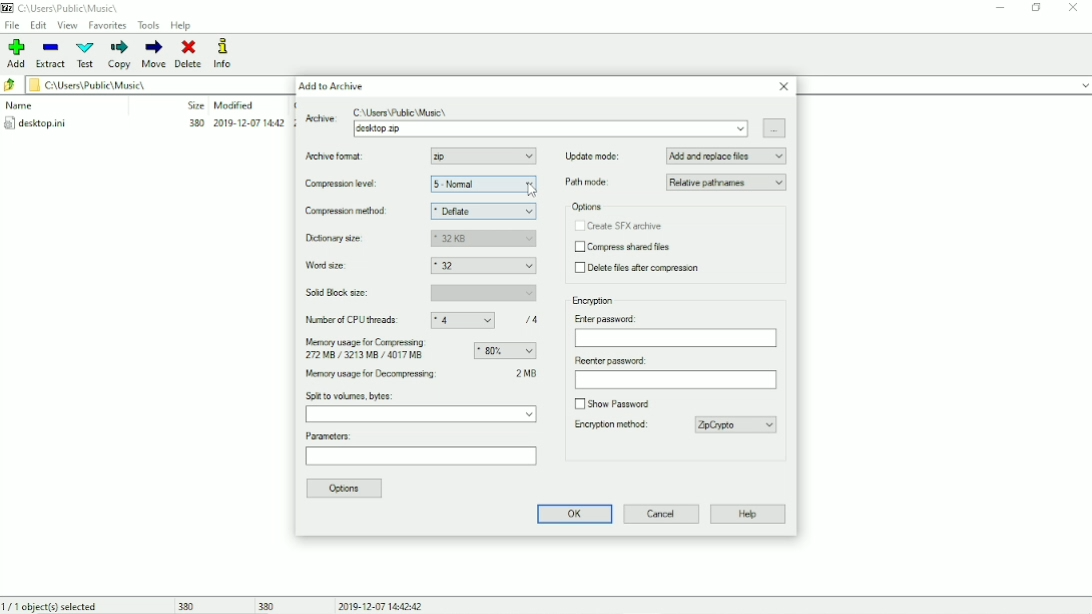 The height and width of the screenshot is (614, 1092). What do you see at coordinates (481, 183) in the screenshot?
I see `5- Normal` at bounding box center [481, 183].